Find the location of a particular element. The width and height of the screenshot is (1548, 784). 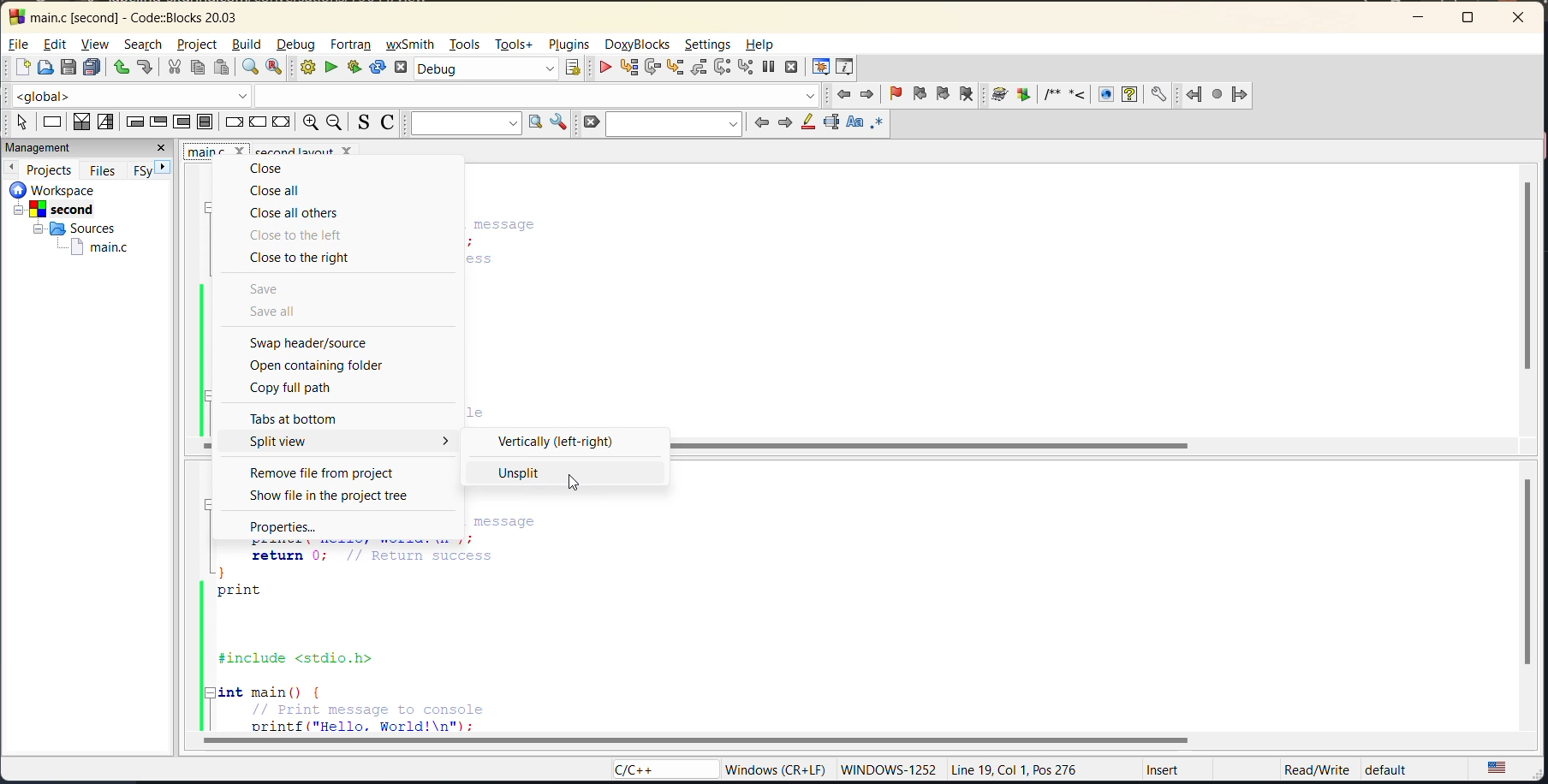

tabs at bottom is located at coordinates (298, 419).